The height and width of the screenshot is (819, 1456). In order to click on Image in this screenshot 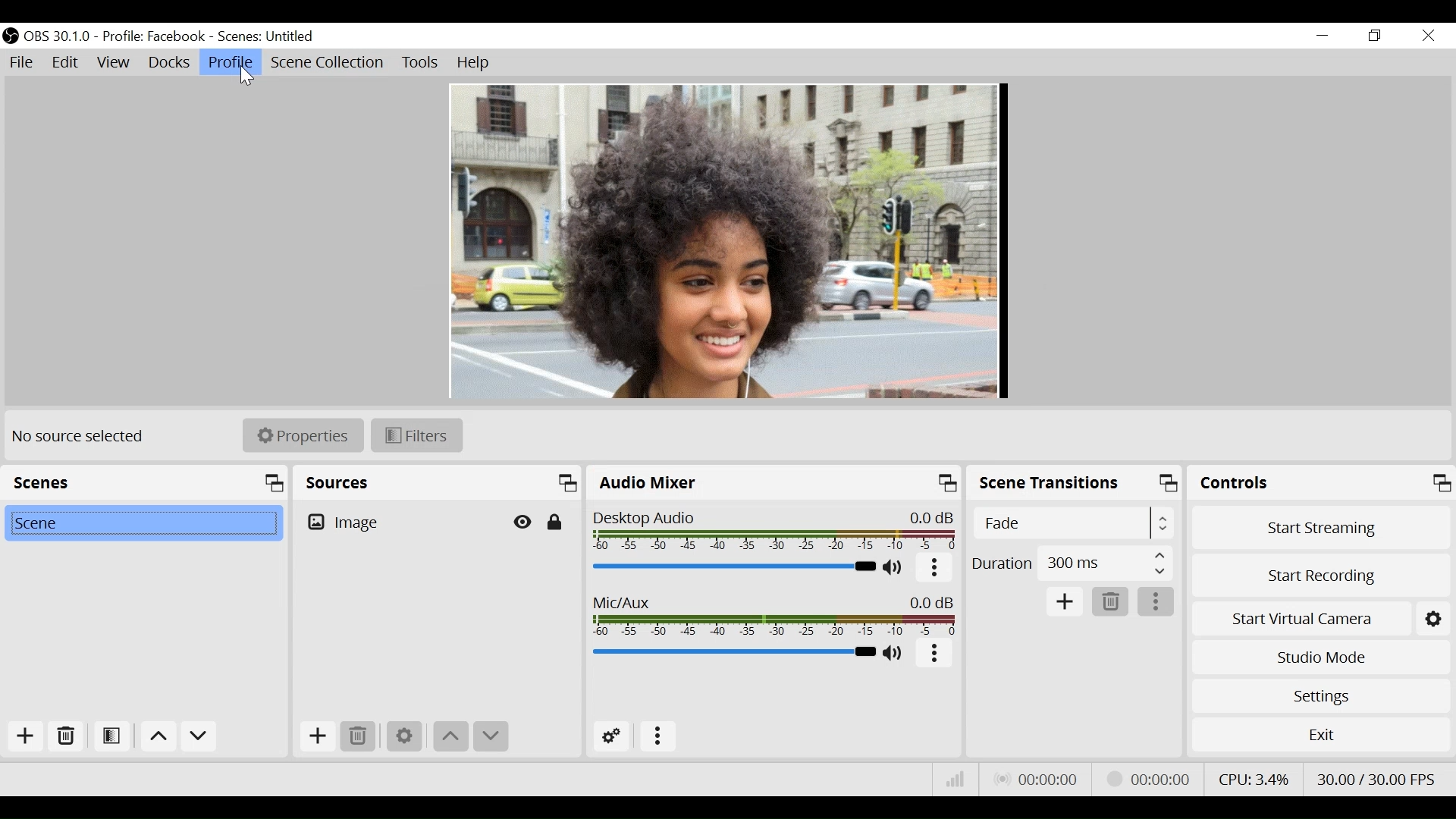, I will do `click(400, 521)`.